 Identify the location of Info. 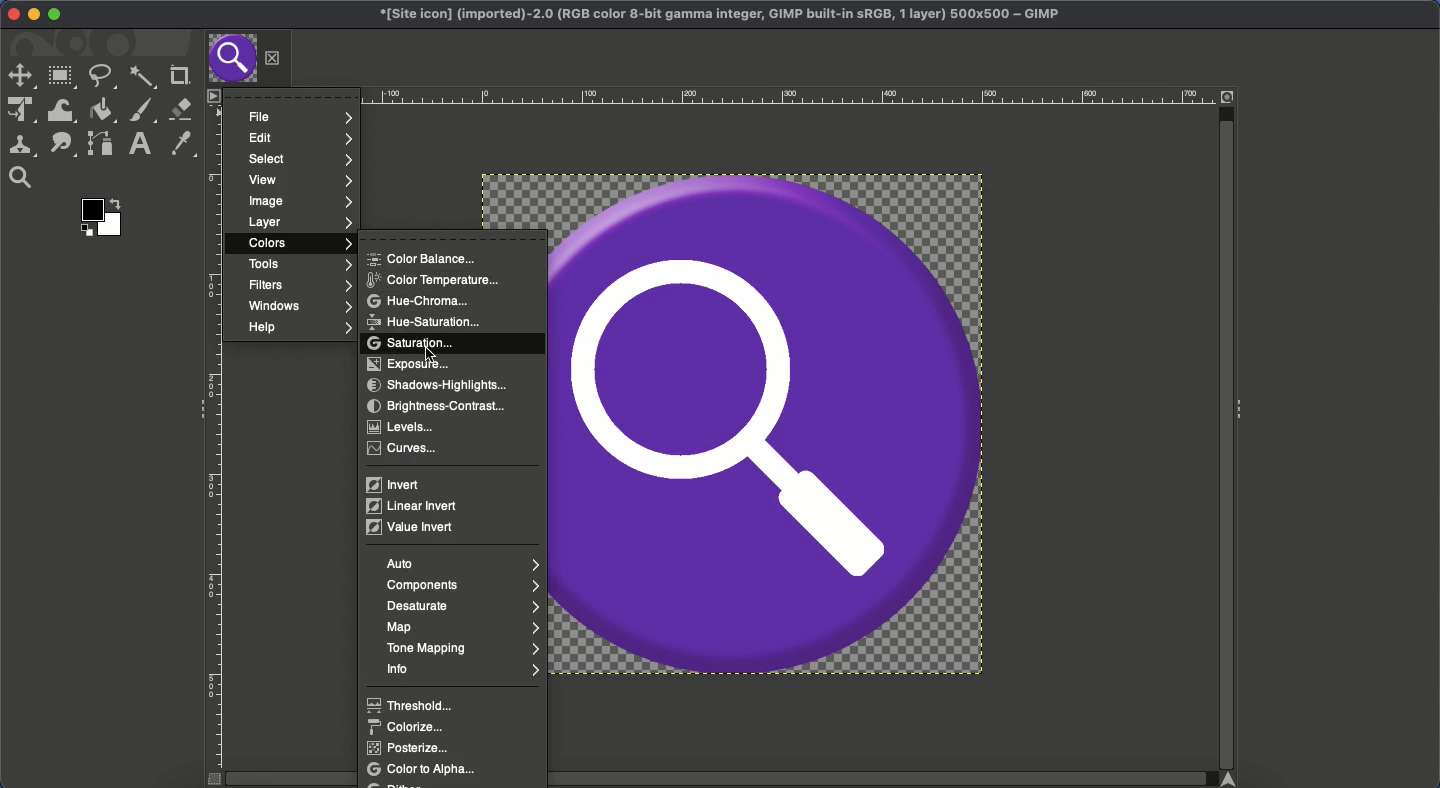
(458, 670).